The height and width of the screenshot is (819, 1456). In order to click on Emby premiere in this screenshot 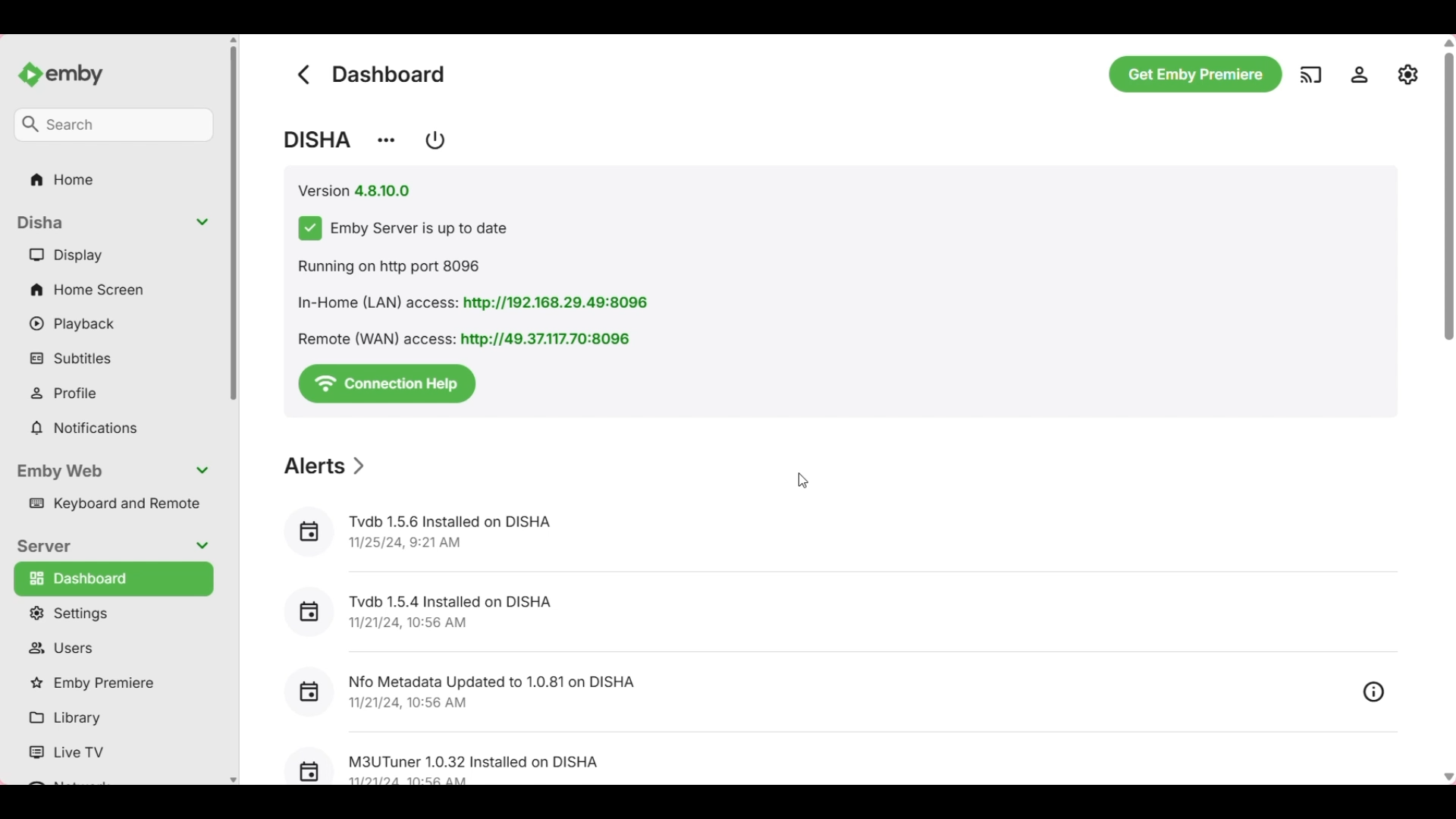, I will do `click(111, 684)`.